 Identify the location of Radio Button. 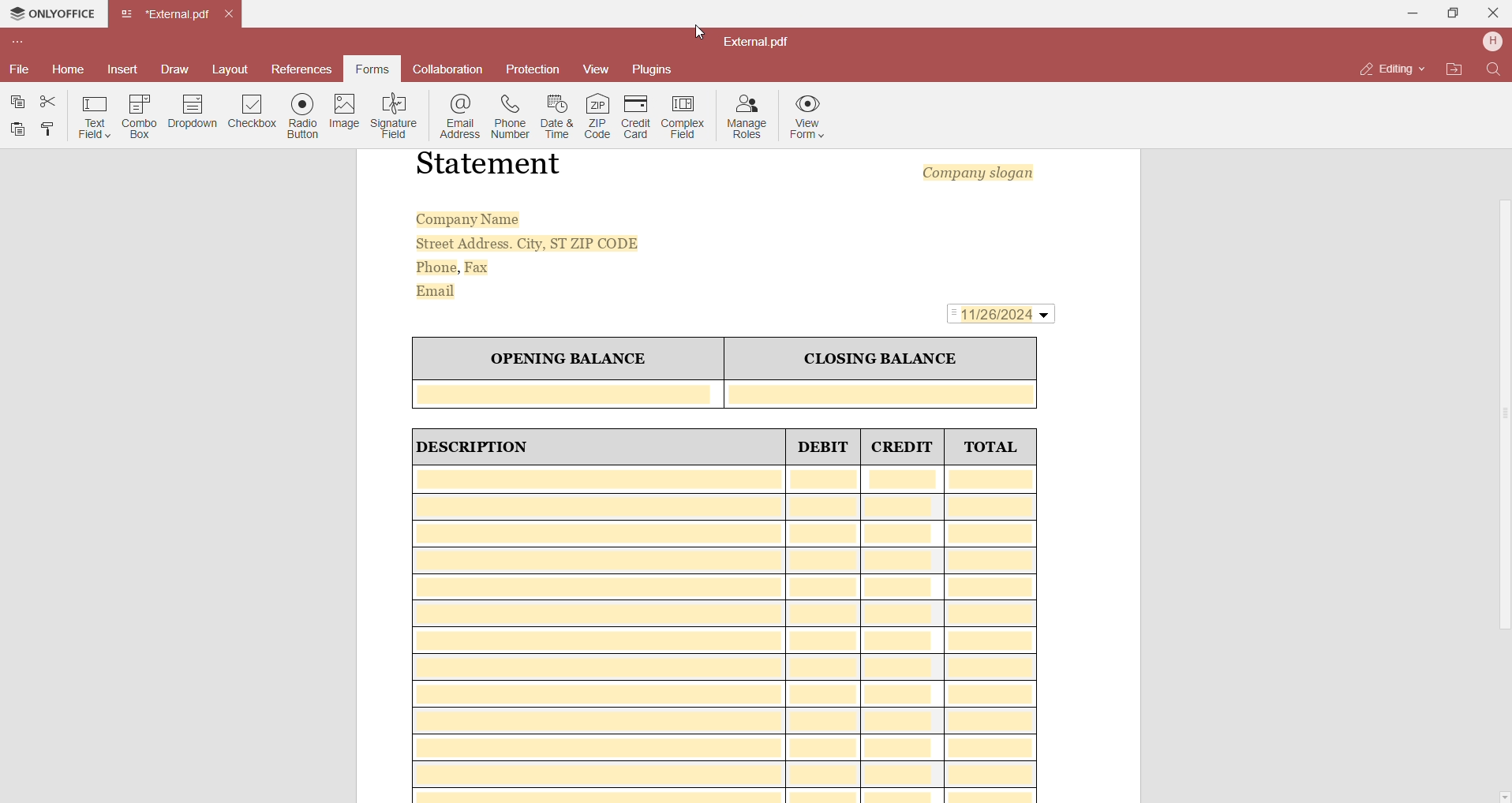
(300, 117).